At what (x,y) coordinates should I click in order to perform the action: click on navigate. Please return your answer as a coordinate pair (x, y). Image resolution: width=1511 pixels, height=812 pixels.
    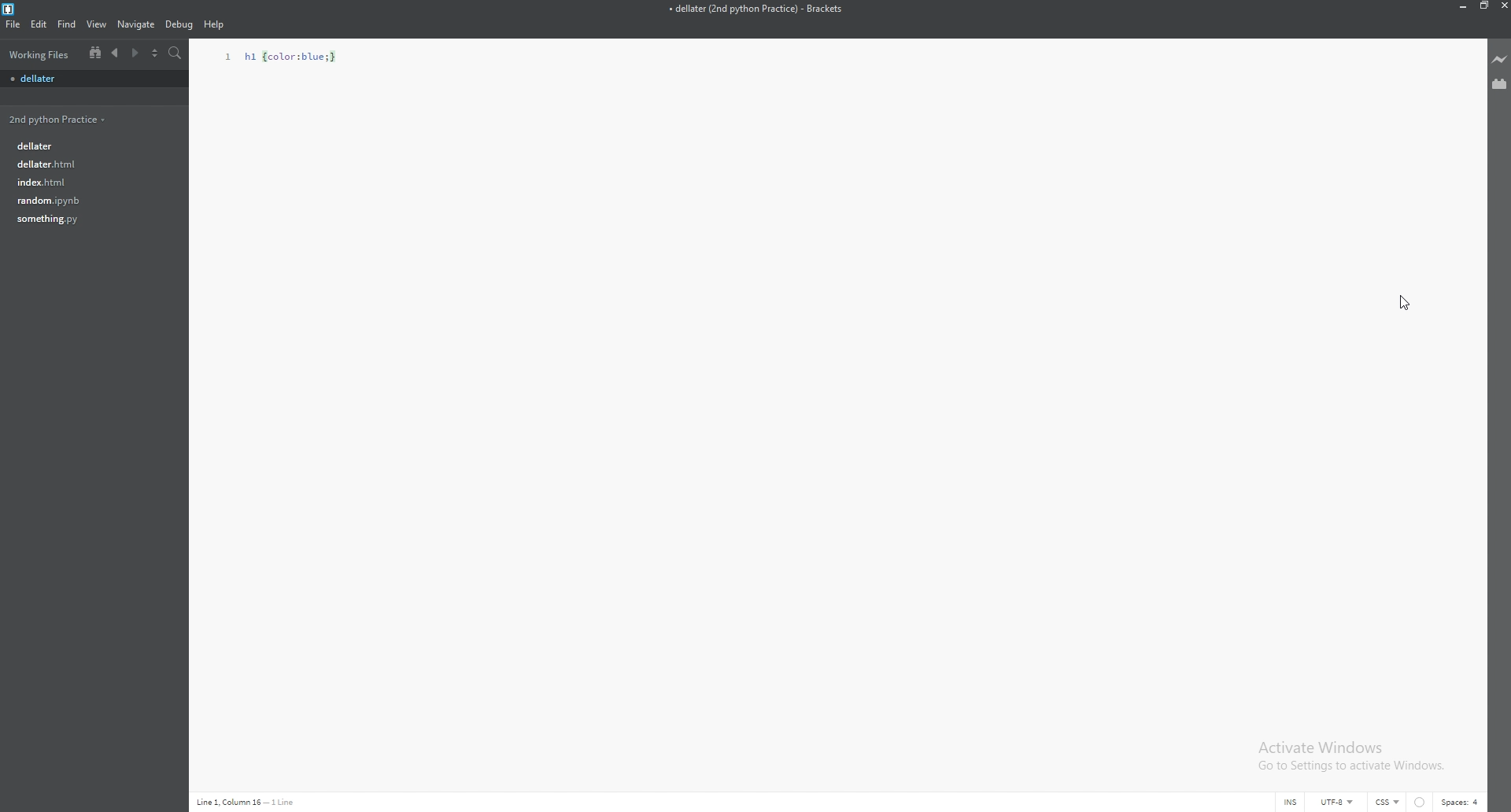
    Looking at the image, I should click on (136, 25).